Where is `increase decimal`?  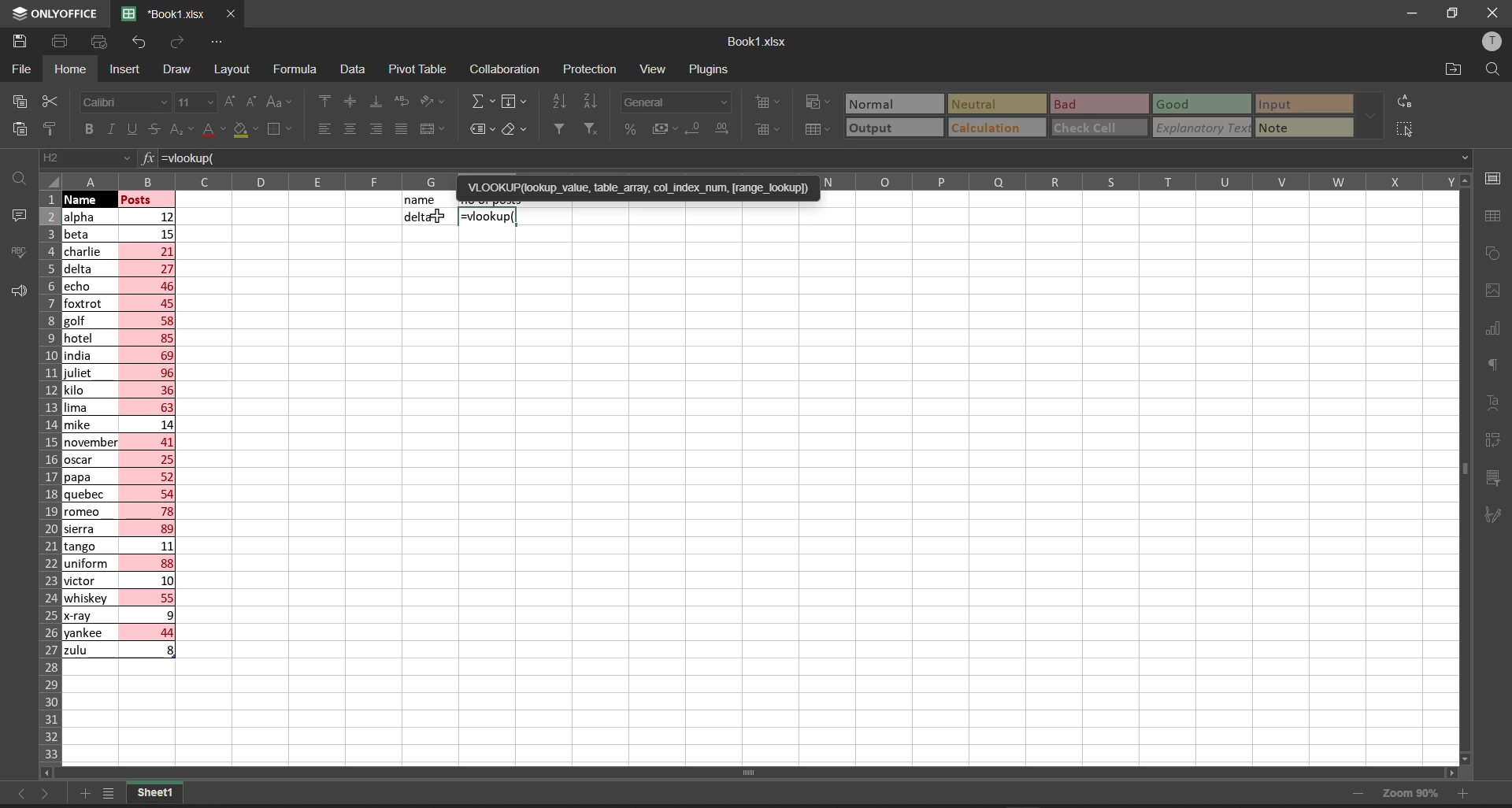
increase decimal is located at coordinates (724, 131).